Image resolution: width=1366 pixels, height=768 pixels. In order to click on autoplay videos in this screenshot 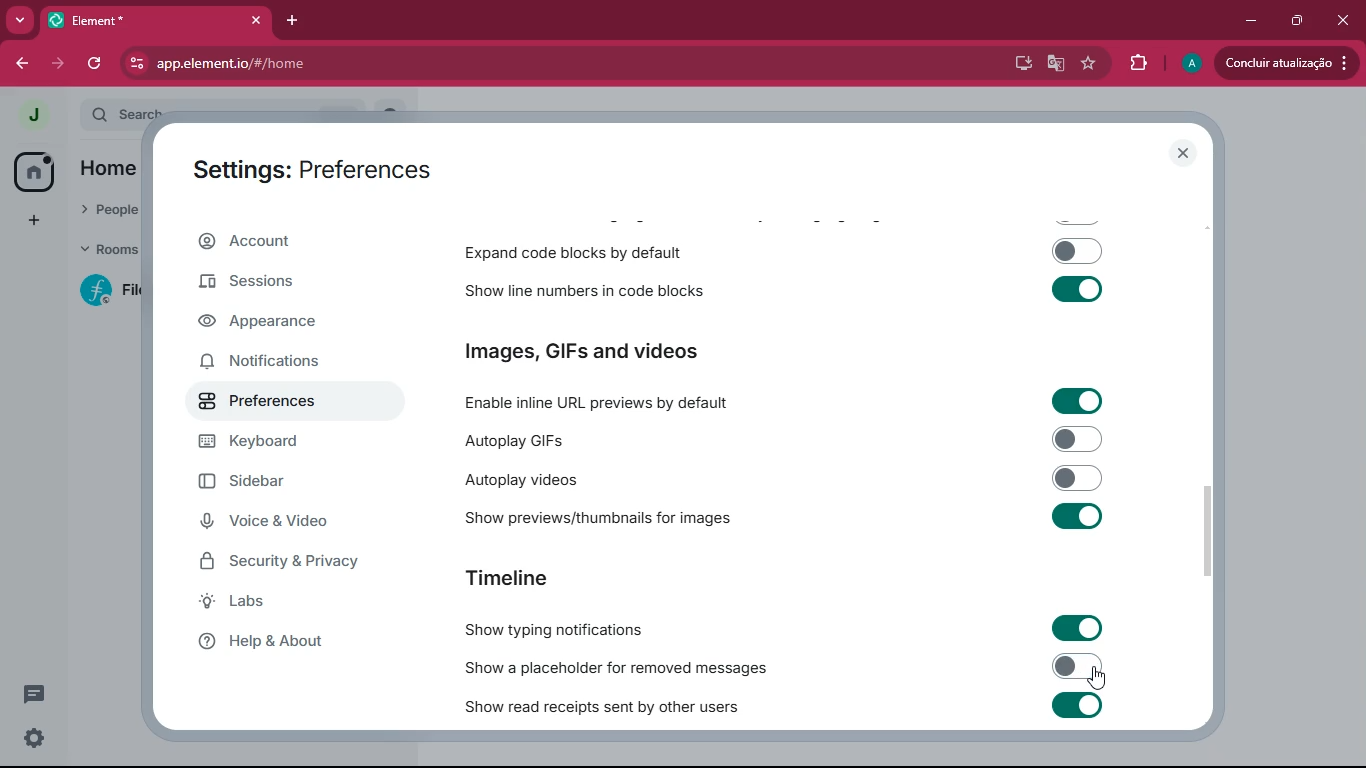, I will do `click(581, 478)`.